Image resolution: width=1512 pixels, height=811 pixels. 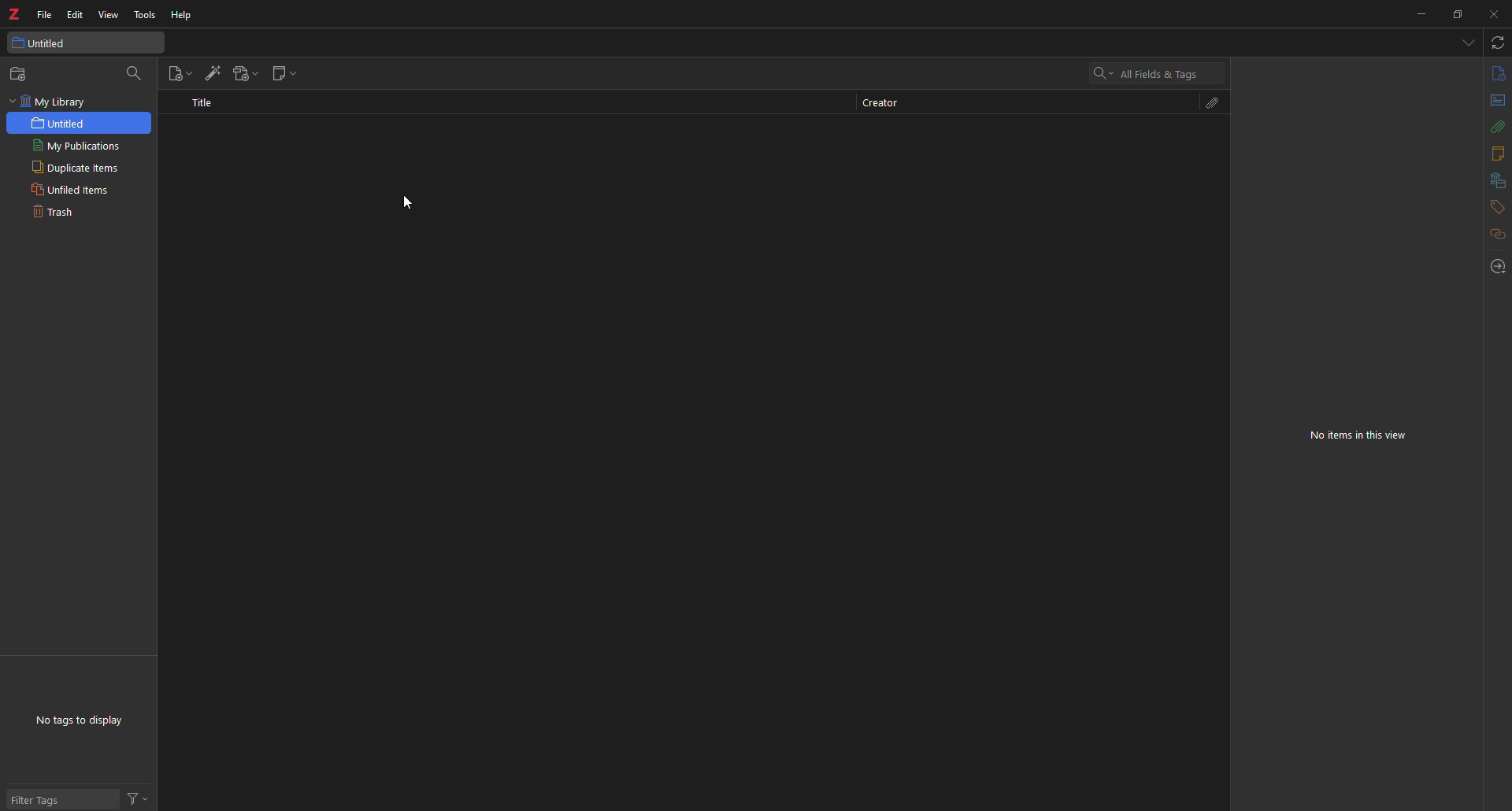 I want to click on add attachment, so click(x=246, y=72).